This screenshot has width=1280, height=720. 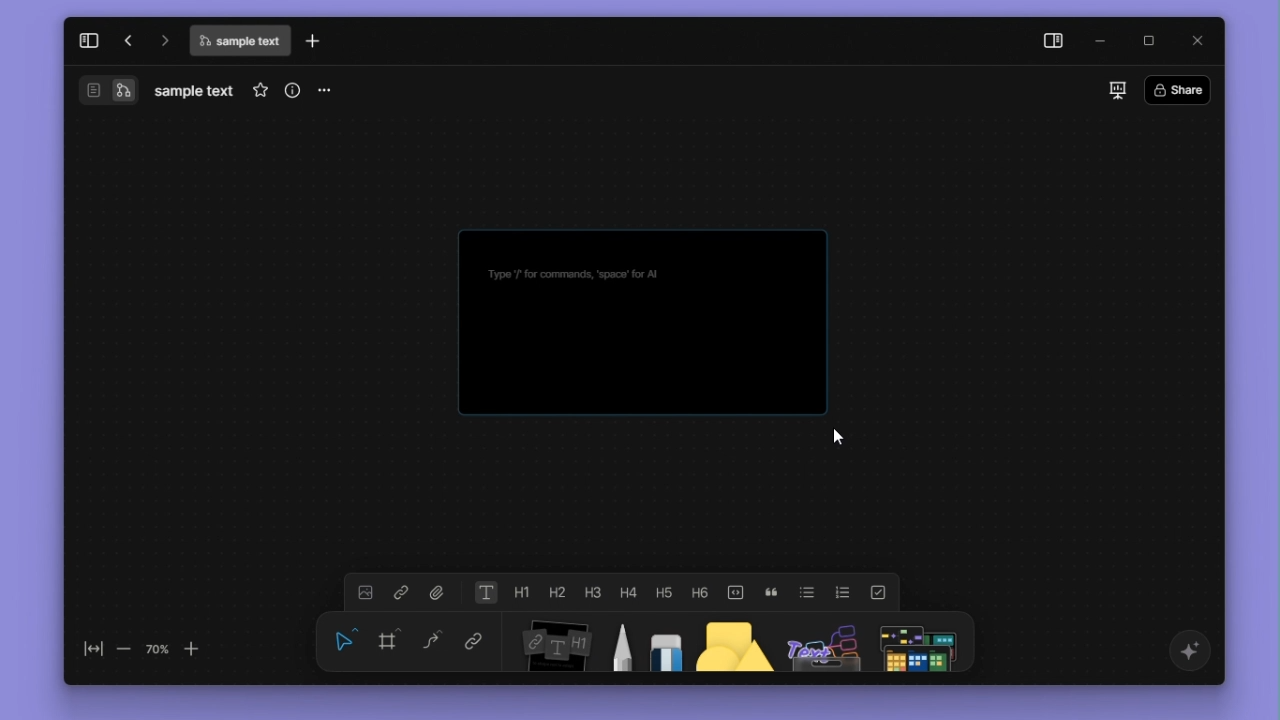 I want to click on bulleted list, so click(x=808, y=591).